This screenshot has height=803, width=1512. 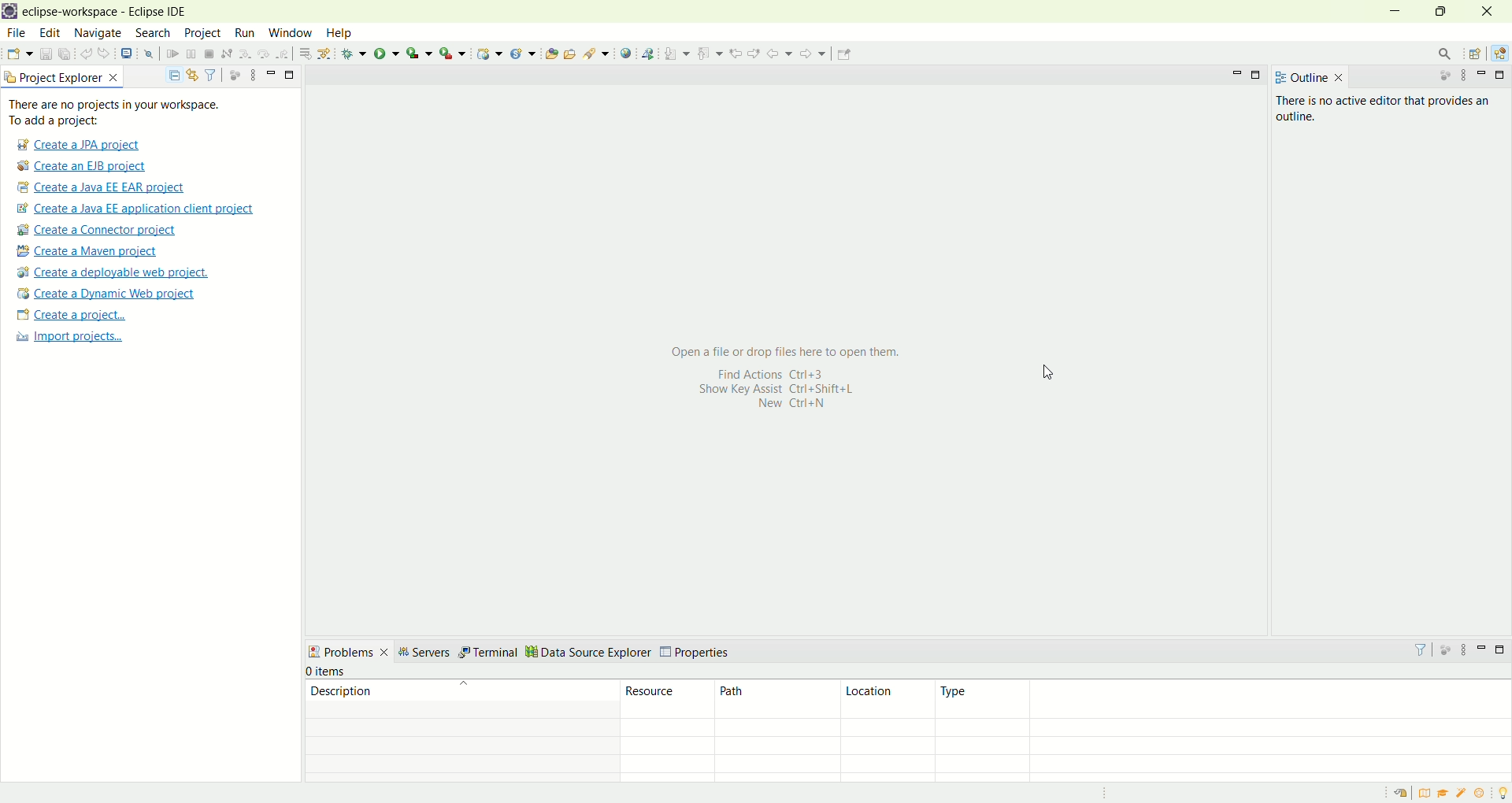 I want to click on maximize, so click(x=1503, y=74).